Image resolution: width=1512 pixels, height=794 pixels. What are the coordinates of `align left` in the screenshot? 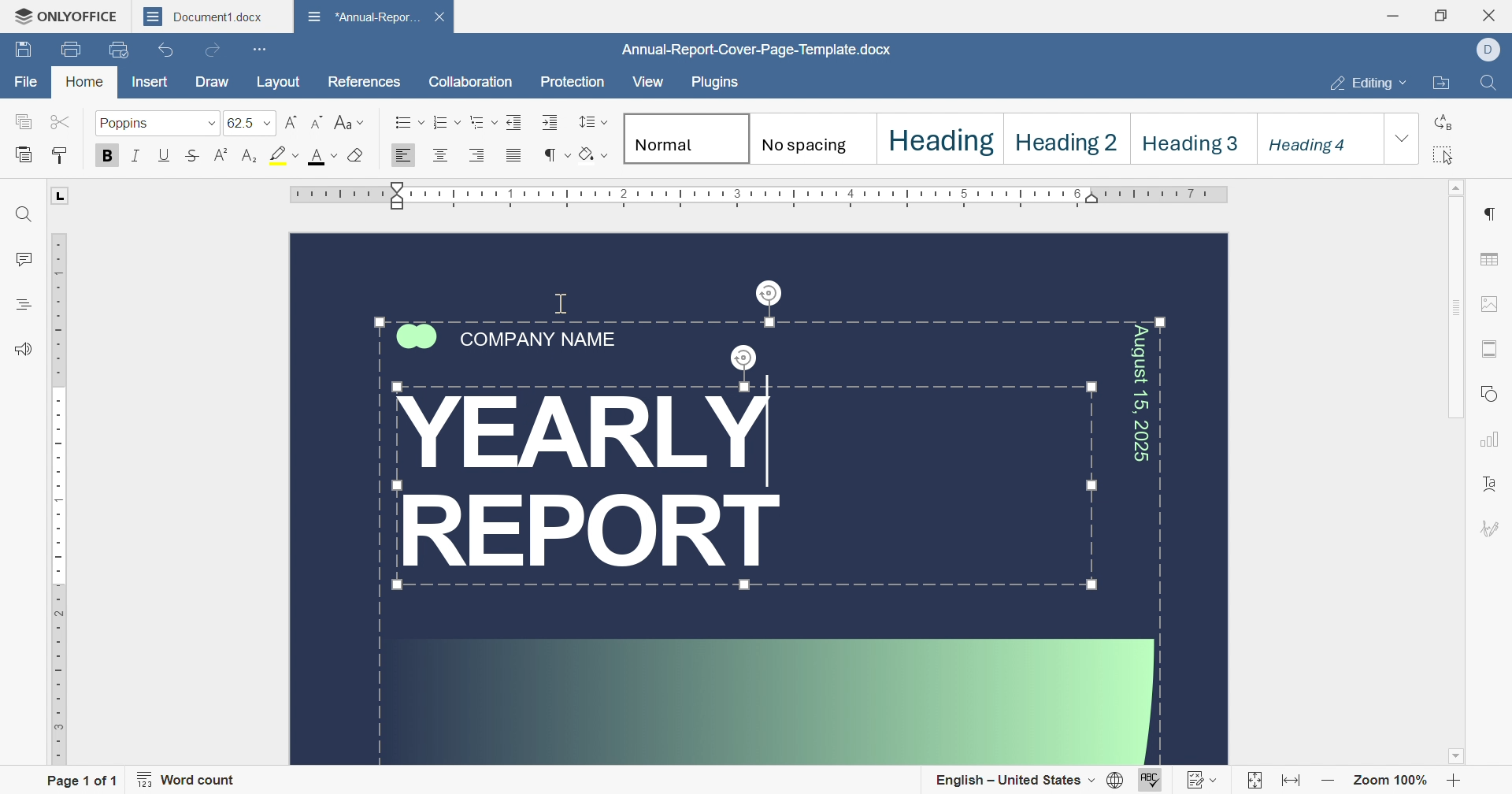 It's located at (400, 157).